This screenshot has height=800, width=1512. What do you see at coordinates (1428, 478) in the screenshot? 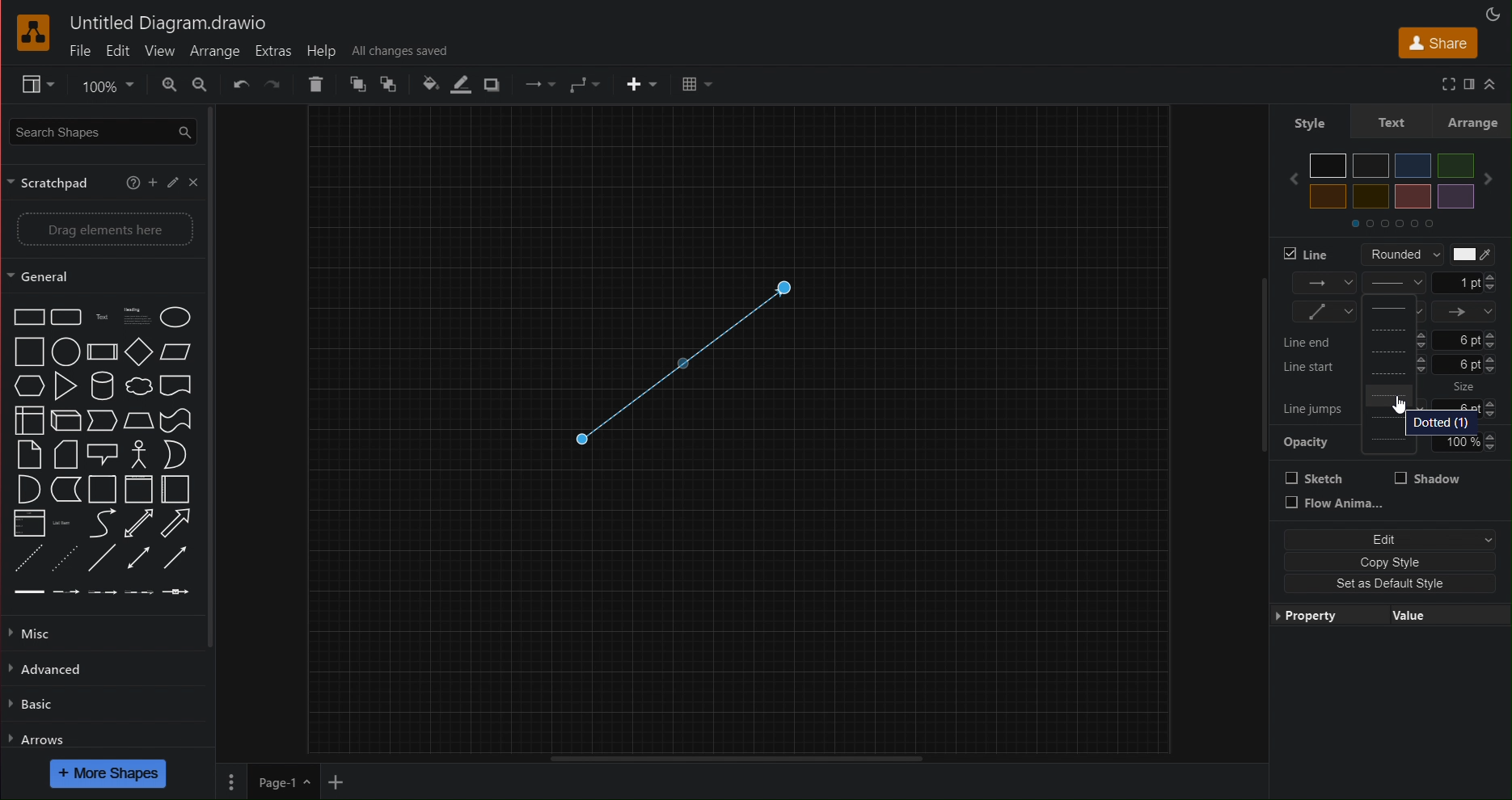
I see `Shadow` at bounding box center [1428, 478].